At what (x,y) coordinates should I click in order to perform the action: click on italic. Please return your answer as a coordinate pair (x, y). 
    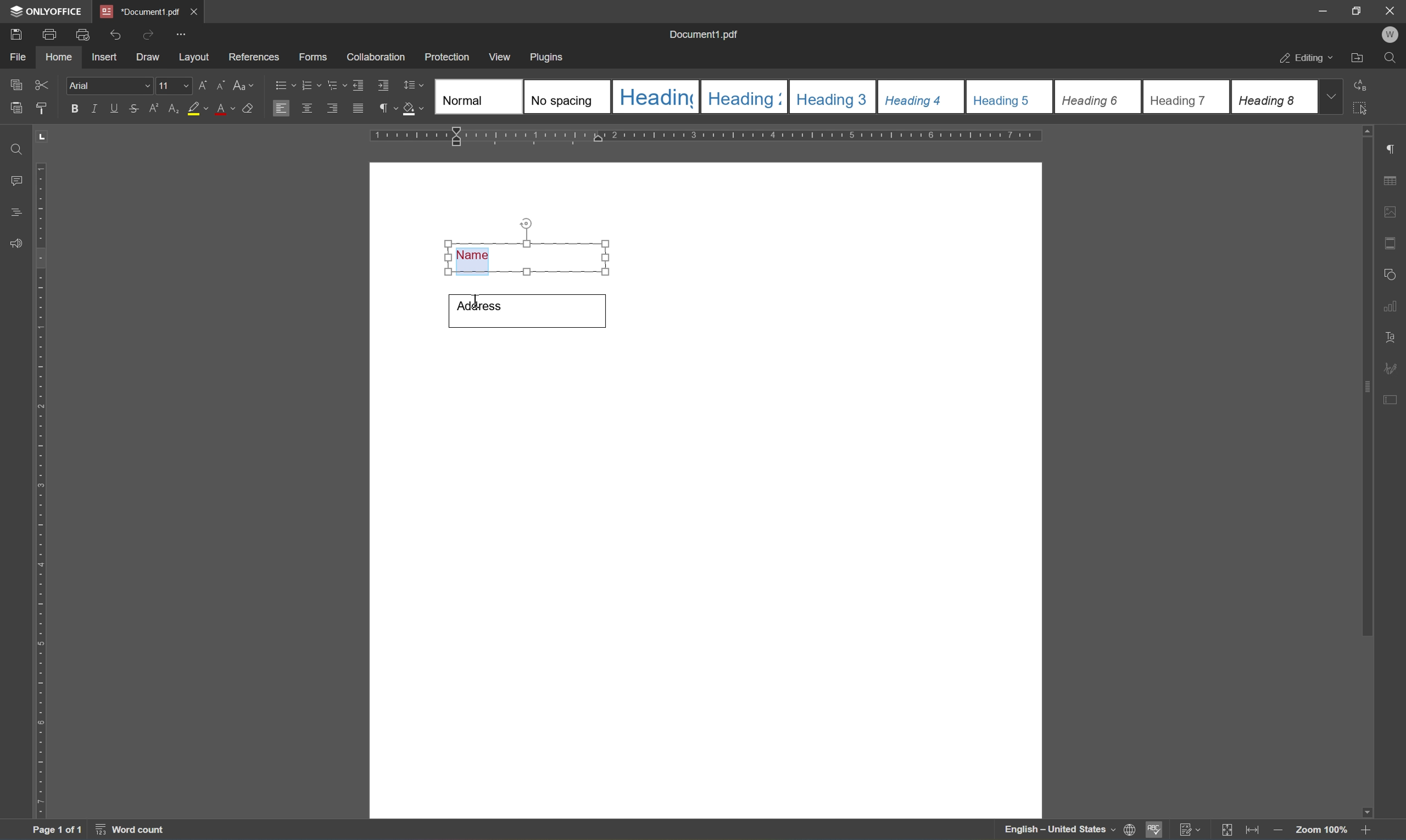
    Looking at the image, I should click on (93, 108).